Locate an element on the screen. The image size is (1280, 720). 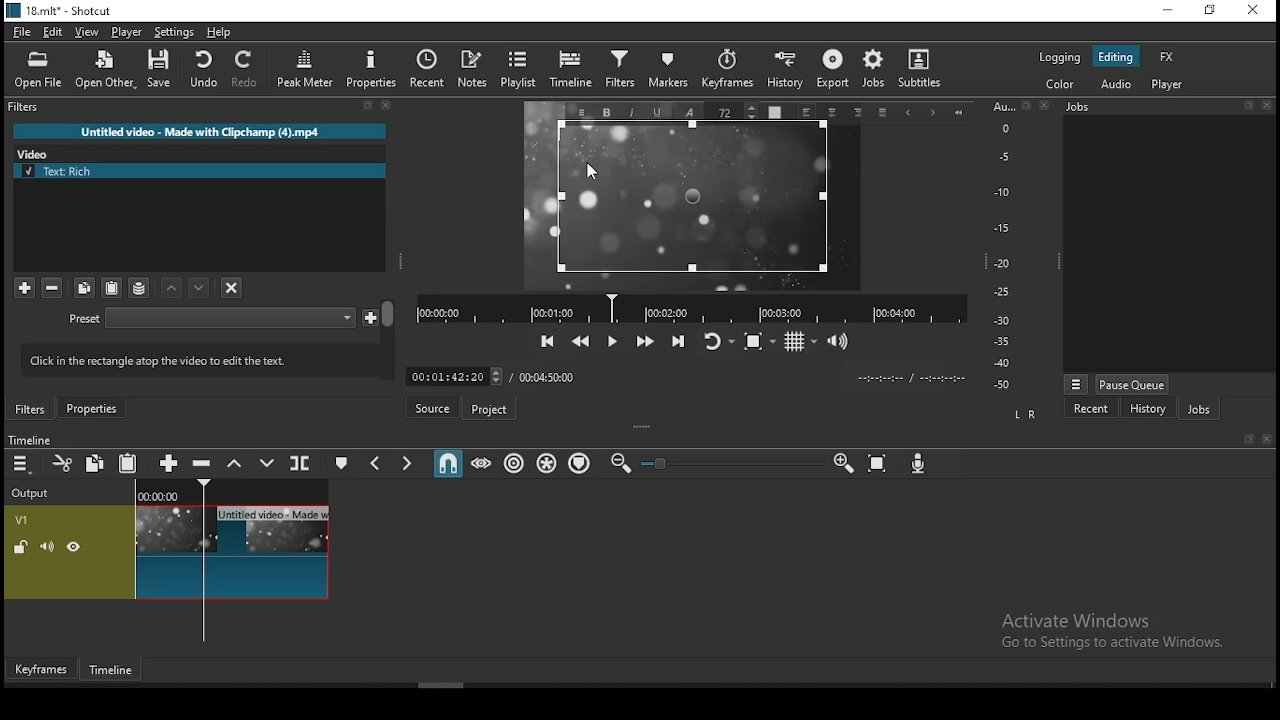
remove selected filters is located at coordinates (53, 289).